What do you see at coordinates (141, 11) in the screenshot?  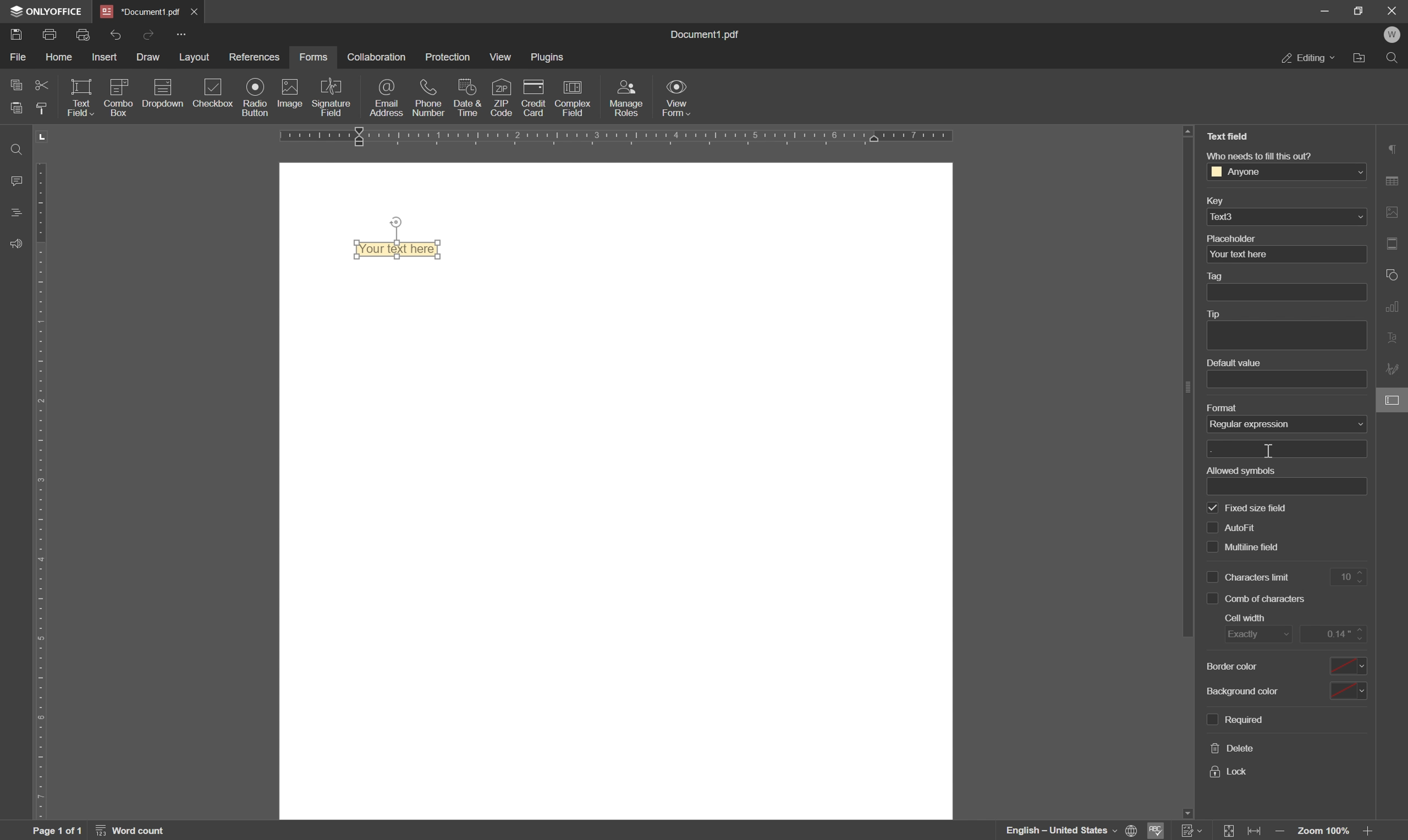 I see `*Document1.pdf` at bounding box center [141, 11].